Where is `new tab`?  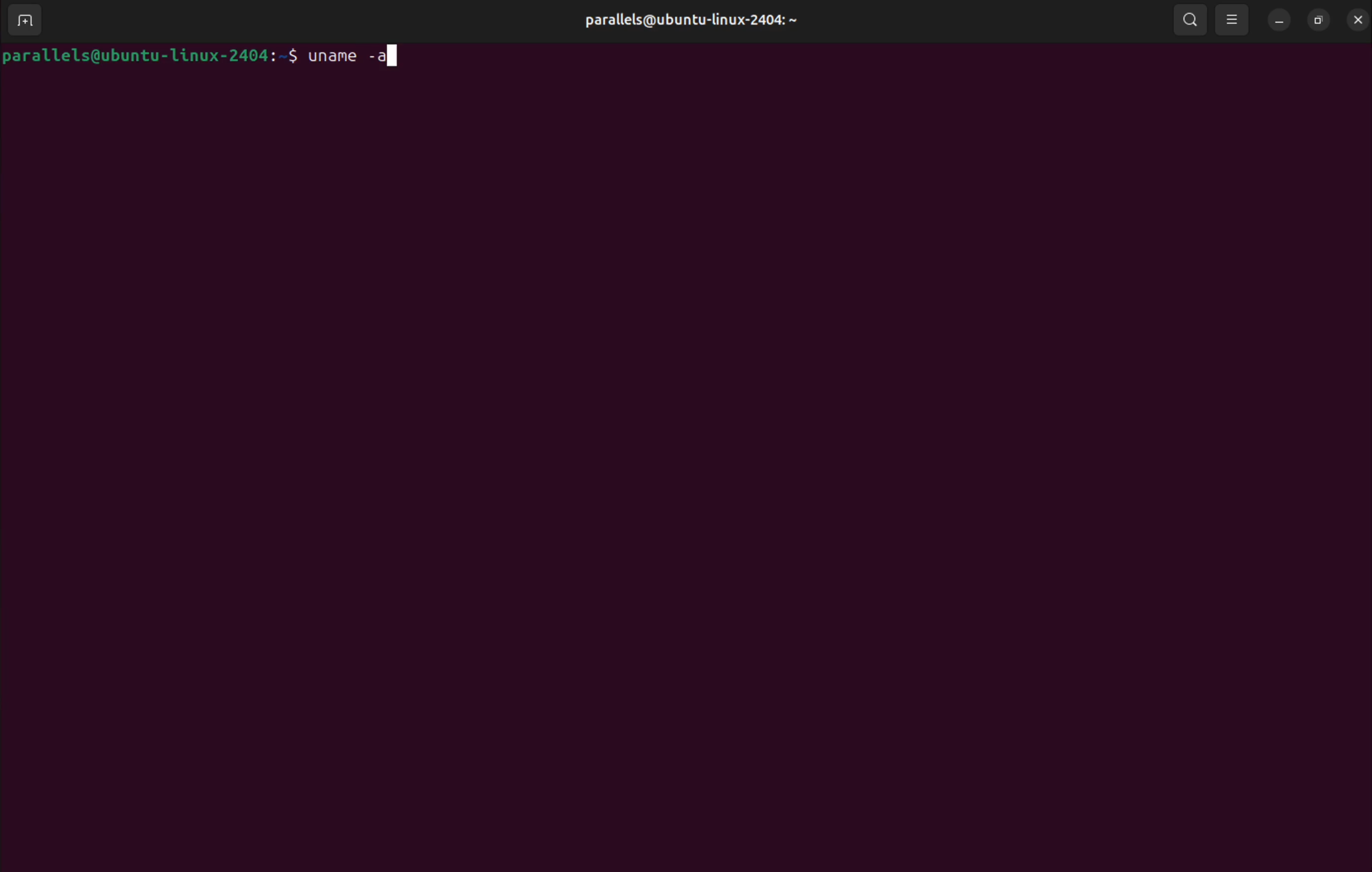 new tab is located at coordinates (31, 21).